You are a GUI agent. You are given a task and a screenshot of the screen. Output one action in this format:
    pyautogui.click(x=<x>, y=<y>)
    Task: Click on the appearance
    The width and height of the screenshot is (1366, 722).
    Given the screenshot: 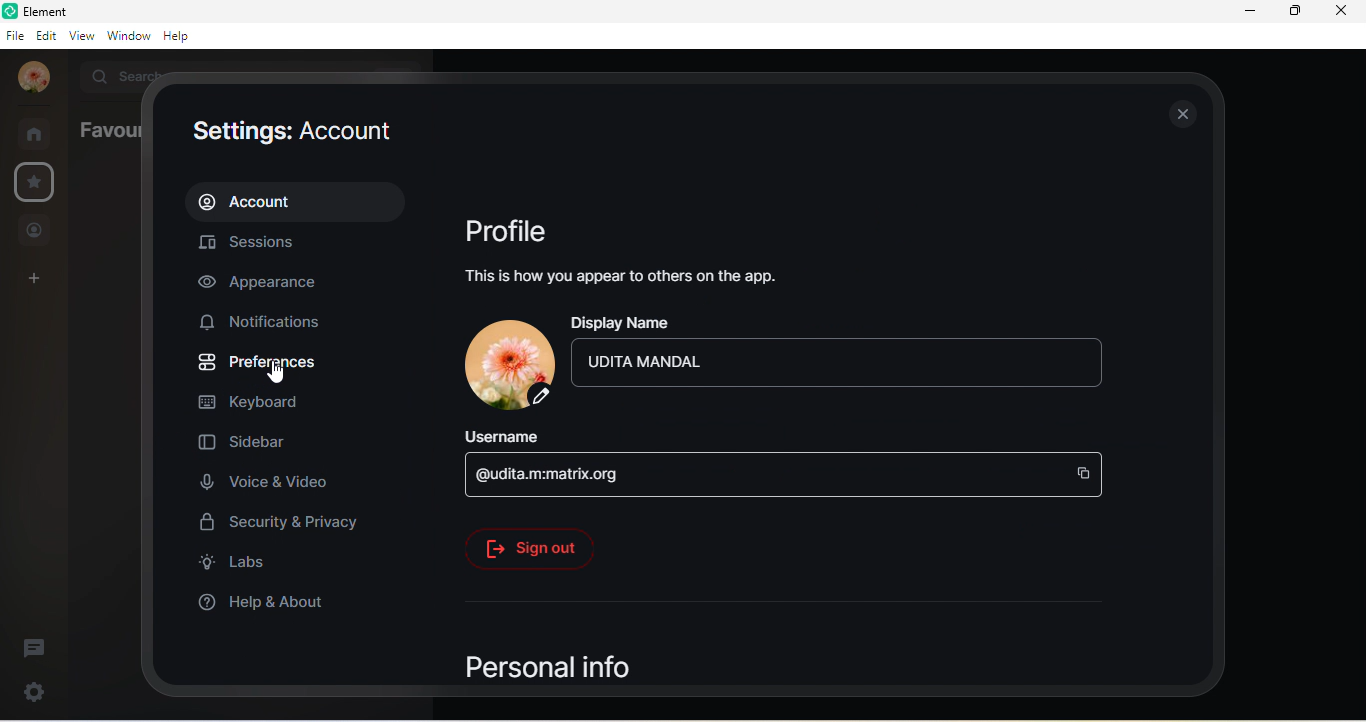 What is the action you would take?
    pyautogui.click(x=263, y=284)
    